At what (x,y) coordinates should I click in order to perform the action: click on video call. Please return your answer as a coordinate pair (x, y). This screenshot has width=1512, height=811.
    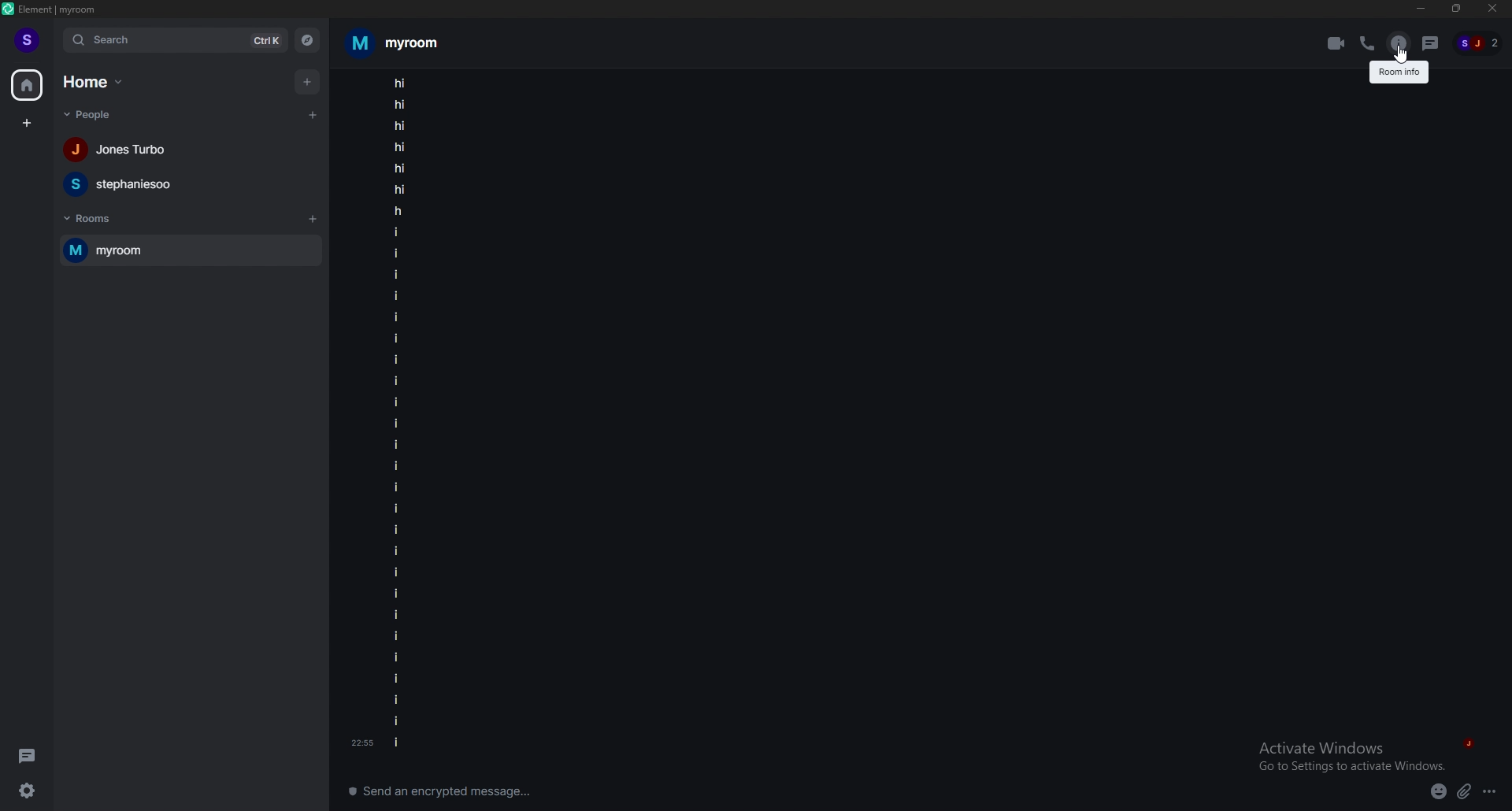
    Looking at the image, I should click on (1336, 43).